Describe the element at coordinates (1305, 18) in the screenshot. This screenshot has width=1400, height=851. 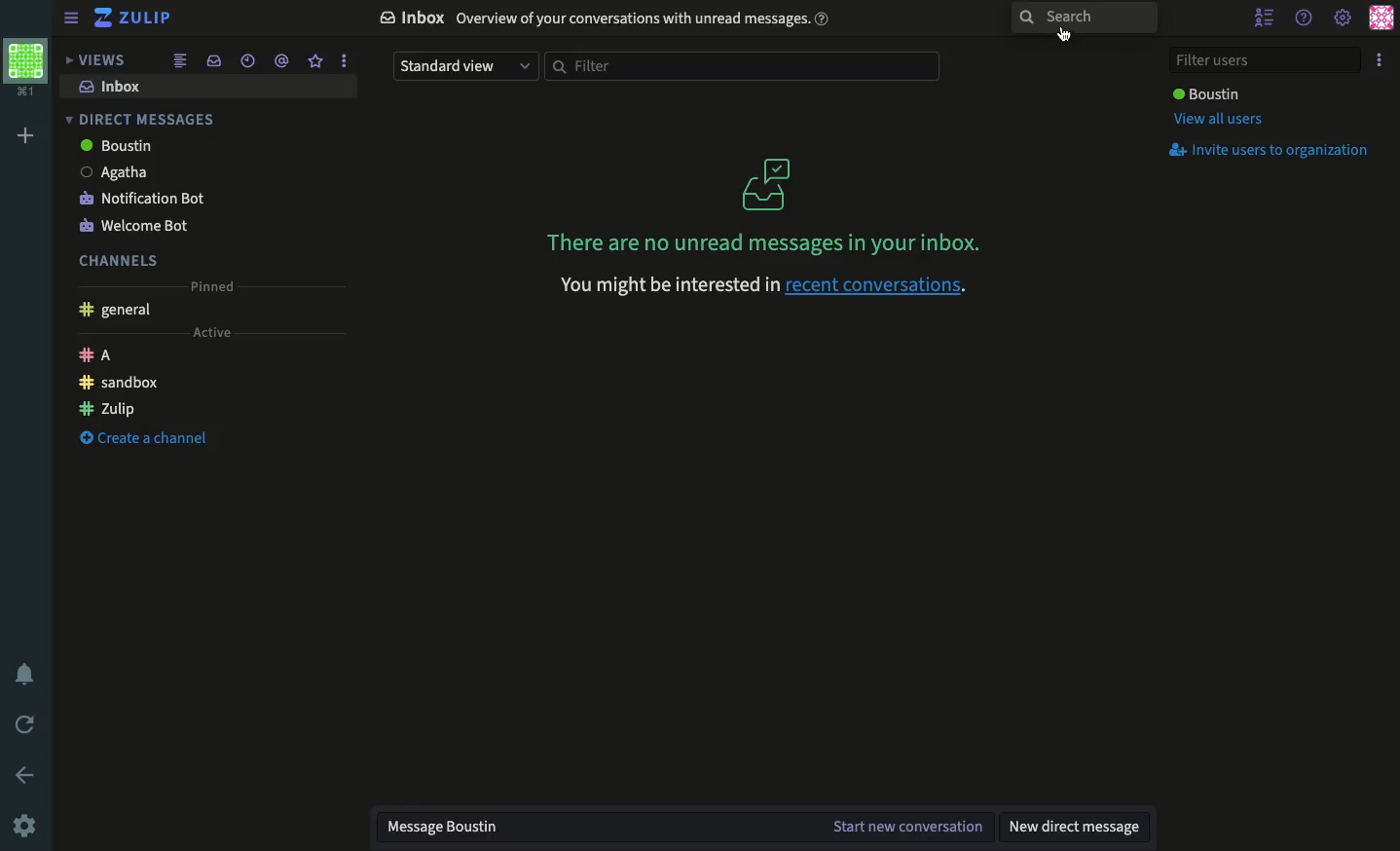
I see `Help` at that location.